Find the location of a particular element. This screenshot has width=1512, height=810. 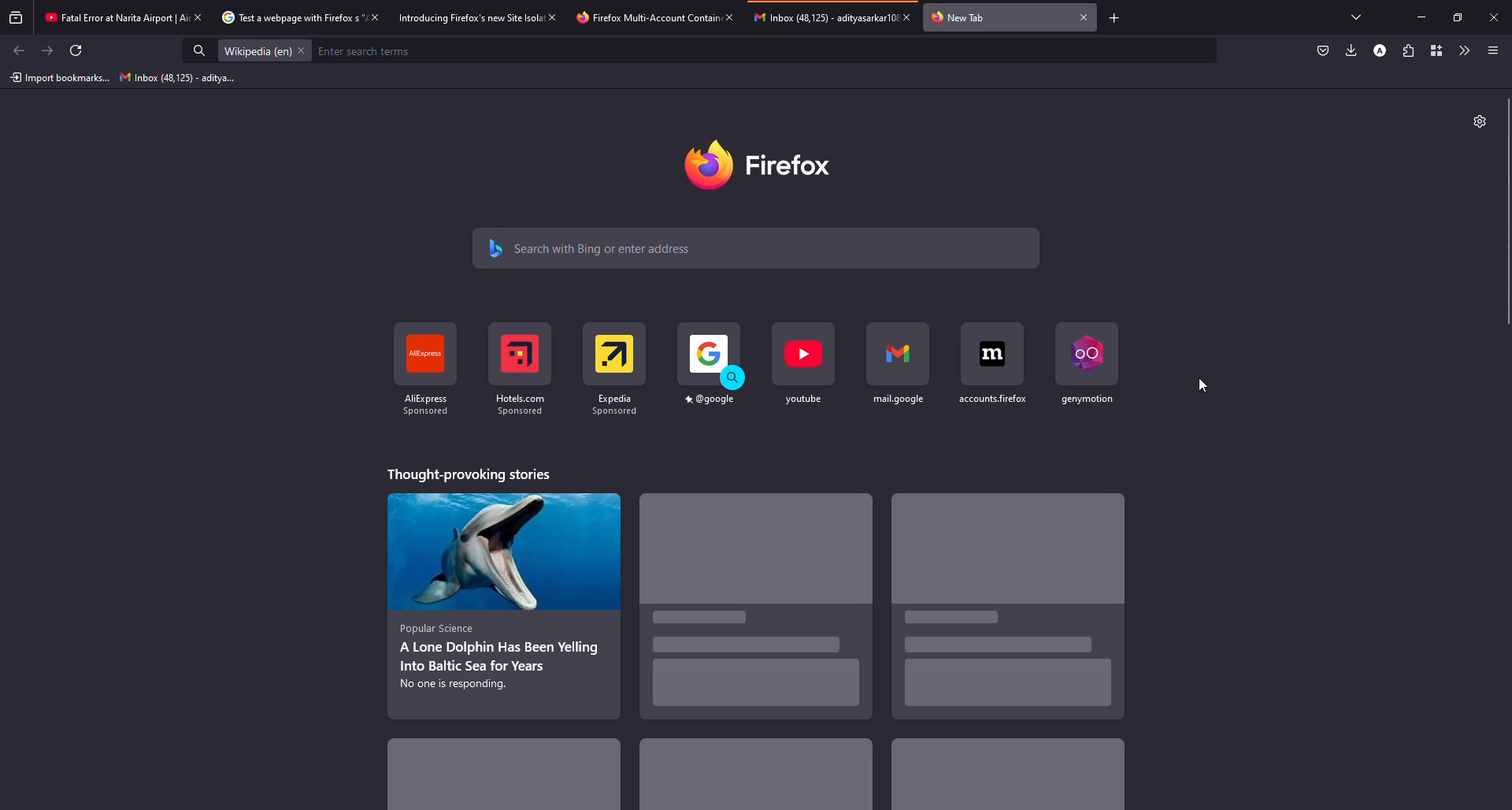

mail.google is located at coordinates (898, 365).